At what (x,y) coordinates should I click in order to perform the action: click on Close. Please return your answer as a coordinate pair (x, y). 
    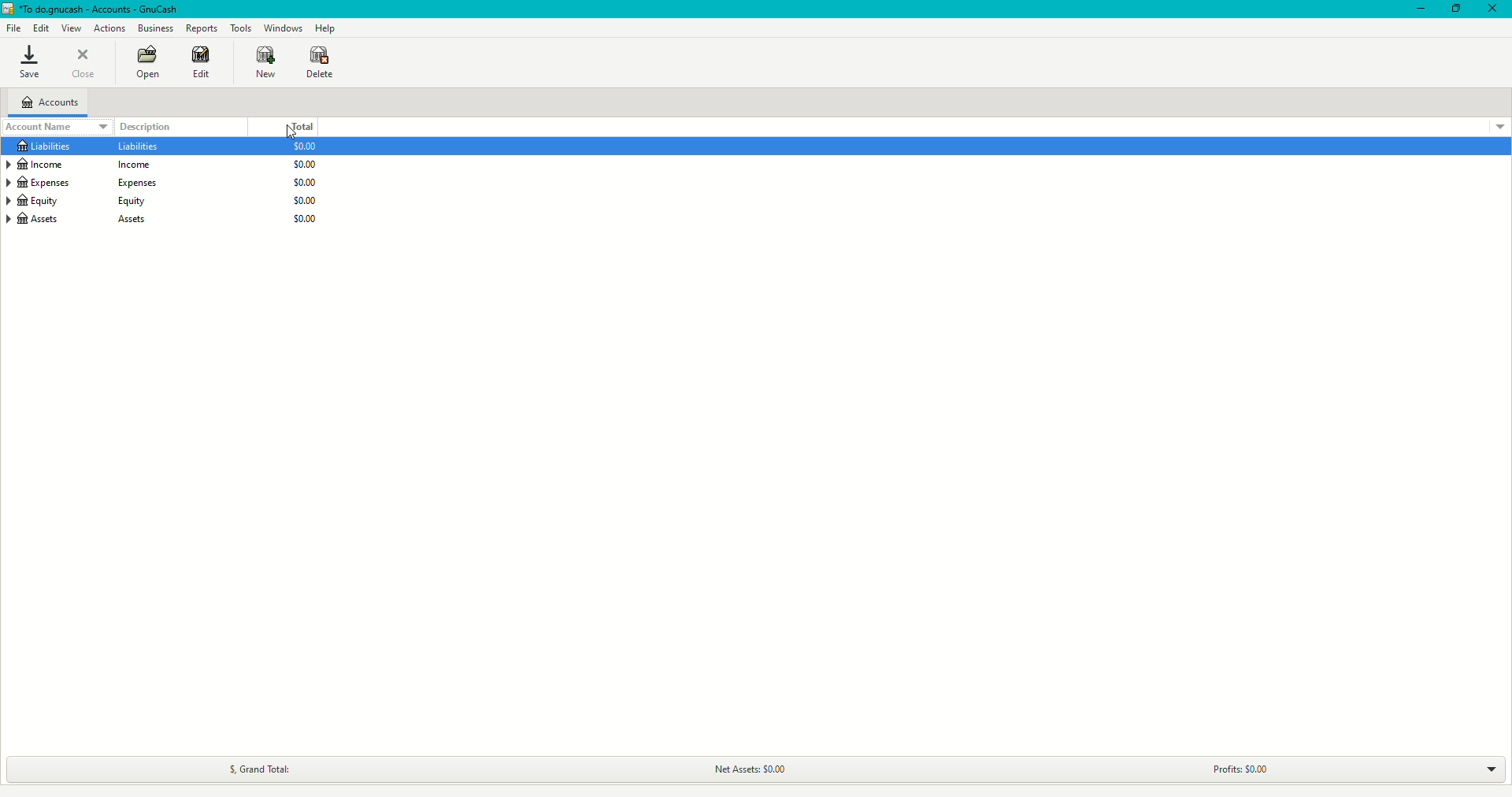
    Looking at the image, I should click on (1495, 9).